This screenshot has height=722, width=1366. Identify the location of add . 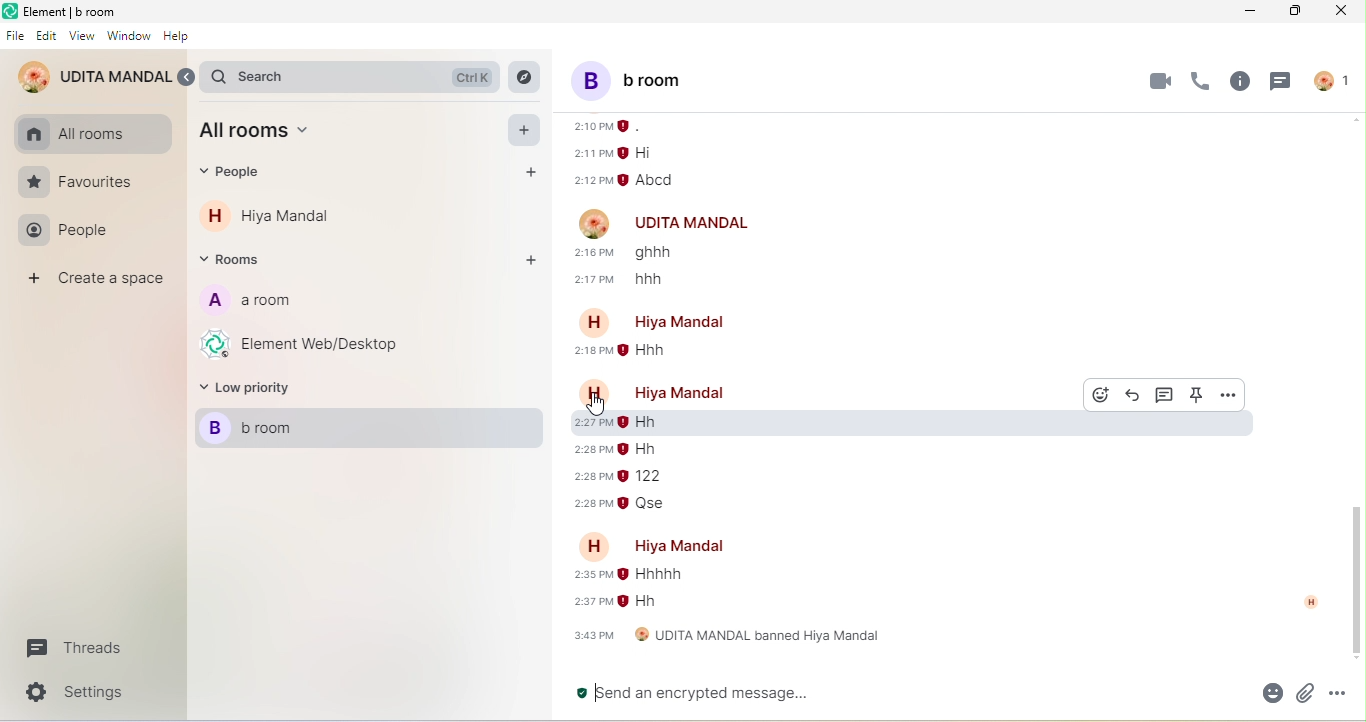
(527, 130).